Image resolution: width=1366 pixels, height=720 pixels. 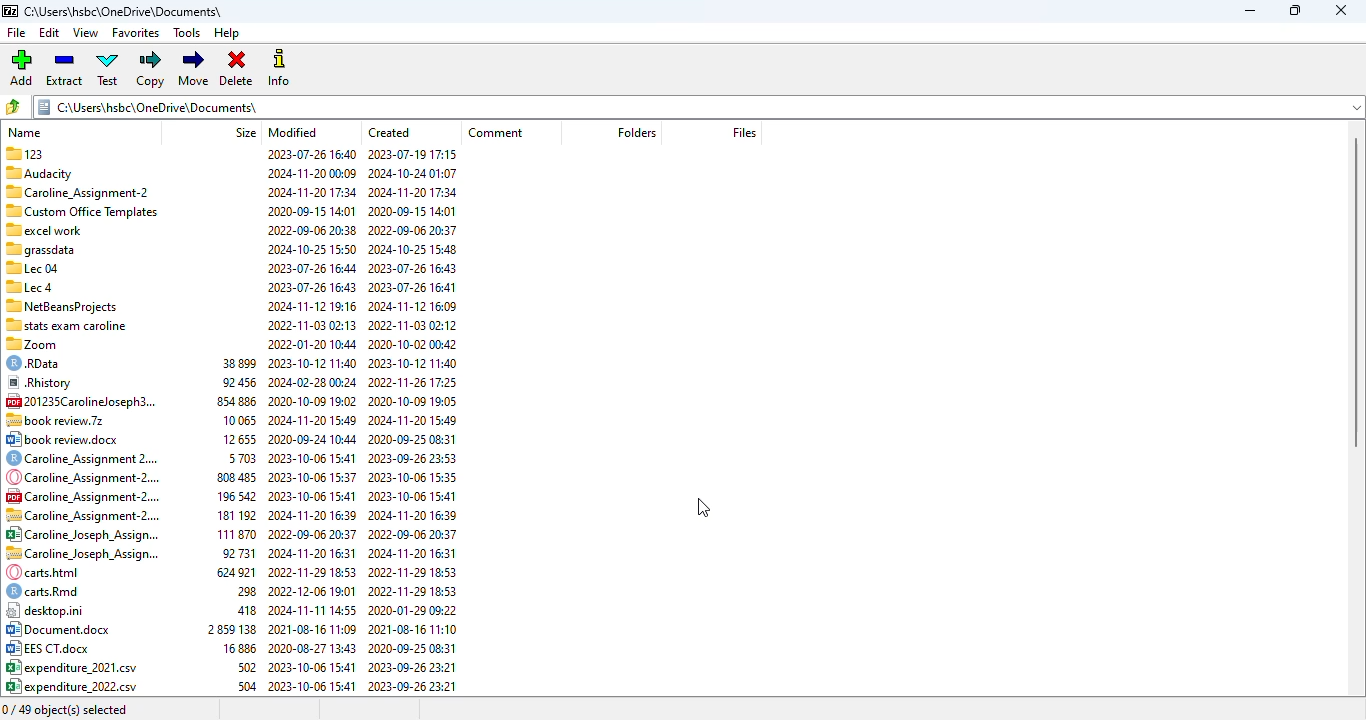 What do you see at coordinates (232, 611) in the screenshot?
I see `Document.docx: 2859138 2021-08-16 11:09 2021-08-16 11:10` at bounding box center [232, 611].